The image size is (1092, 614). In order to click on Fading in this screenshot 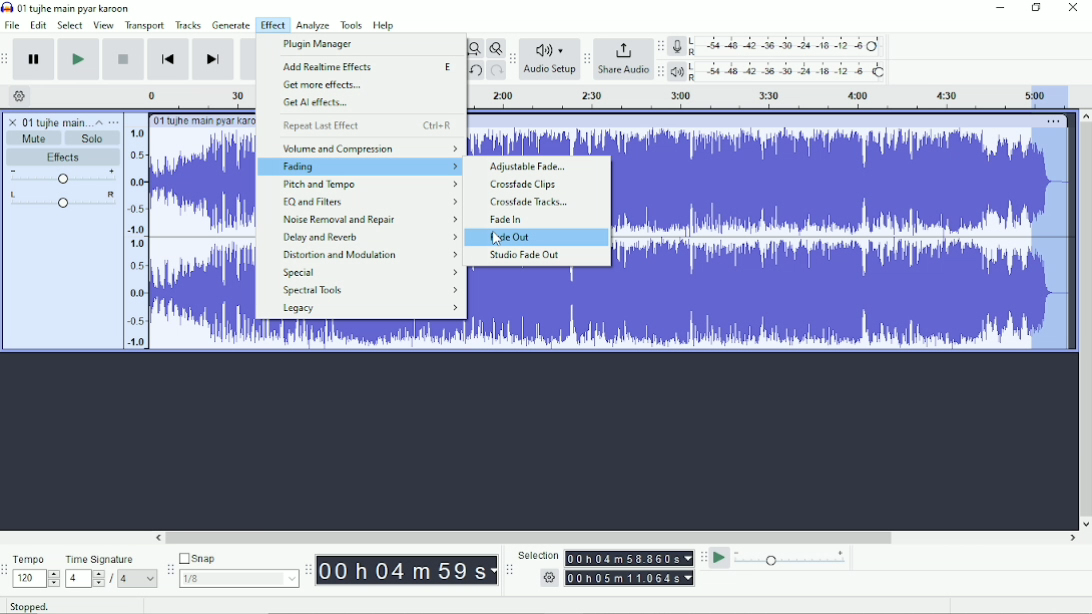, I will do `click(367, 167)`.